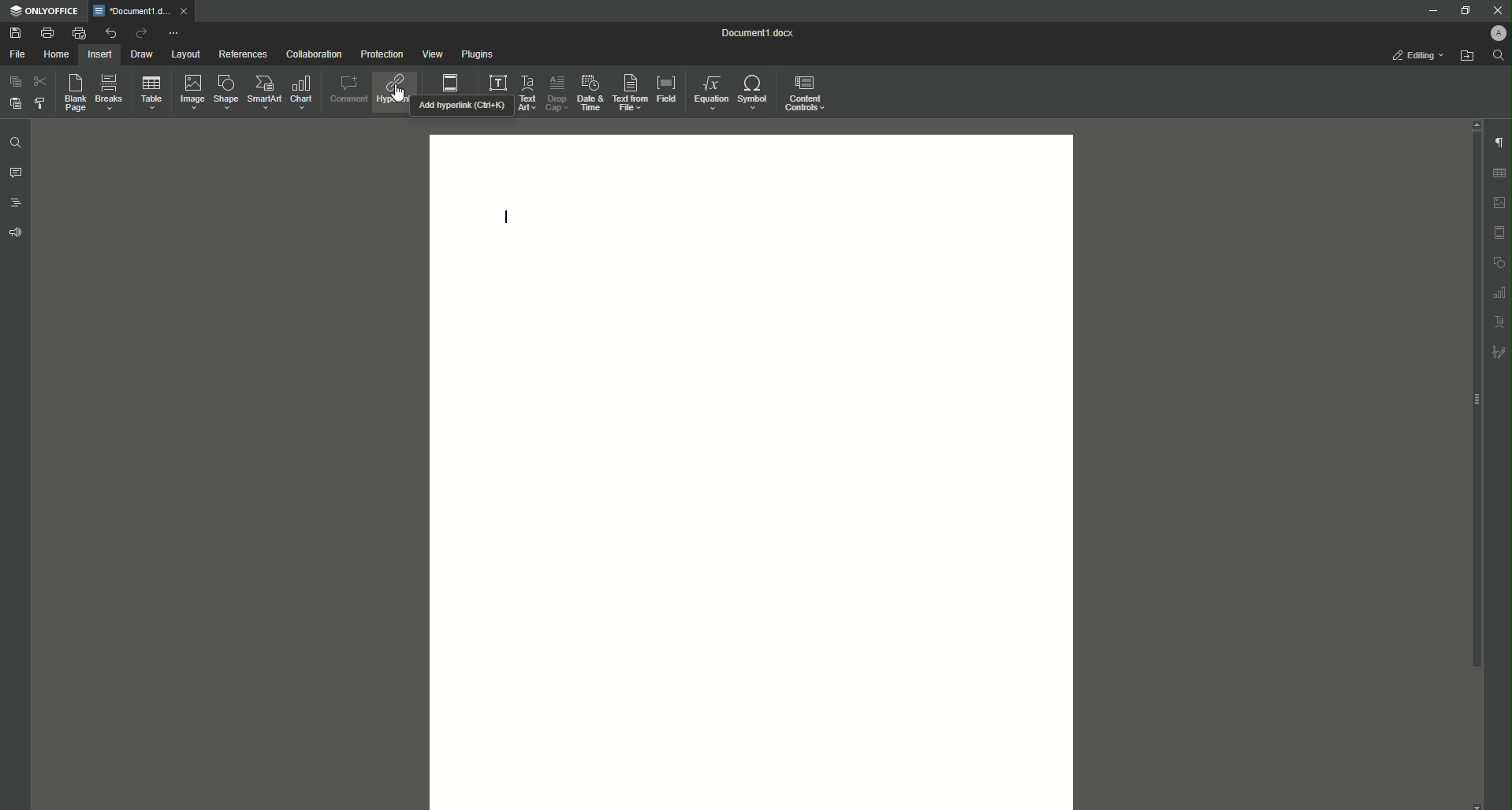 The image size is (1512, 810). What do you see at coordinates (397, 93) in the screenshot?
I see `cursor` at bounding box center [397, 93].